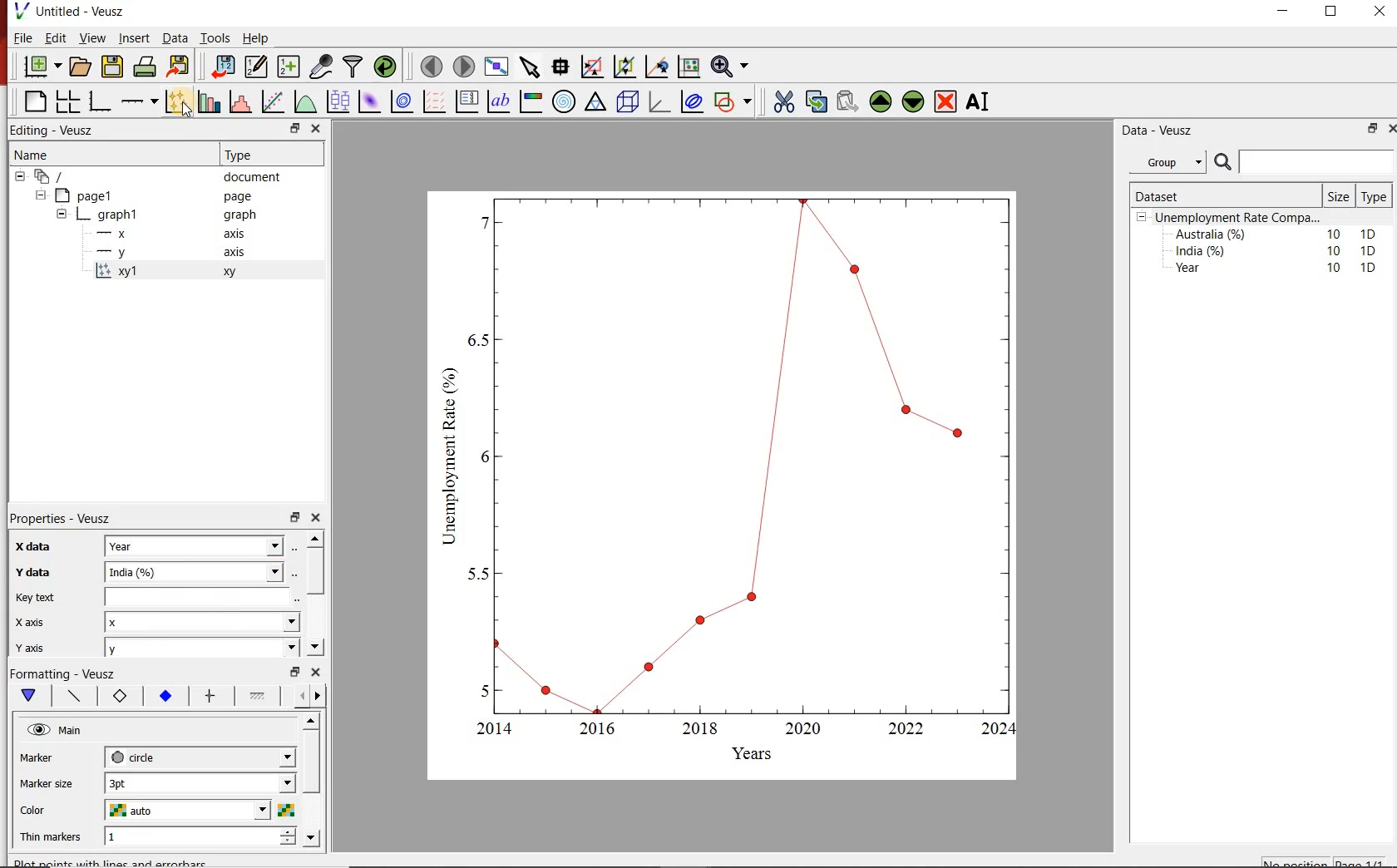 This screenshot has width=1397, height=868. Describe the element at coordinates (1371, 128) in the screenshot. I see `minimise` at that location.